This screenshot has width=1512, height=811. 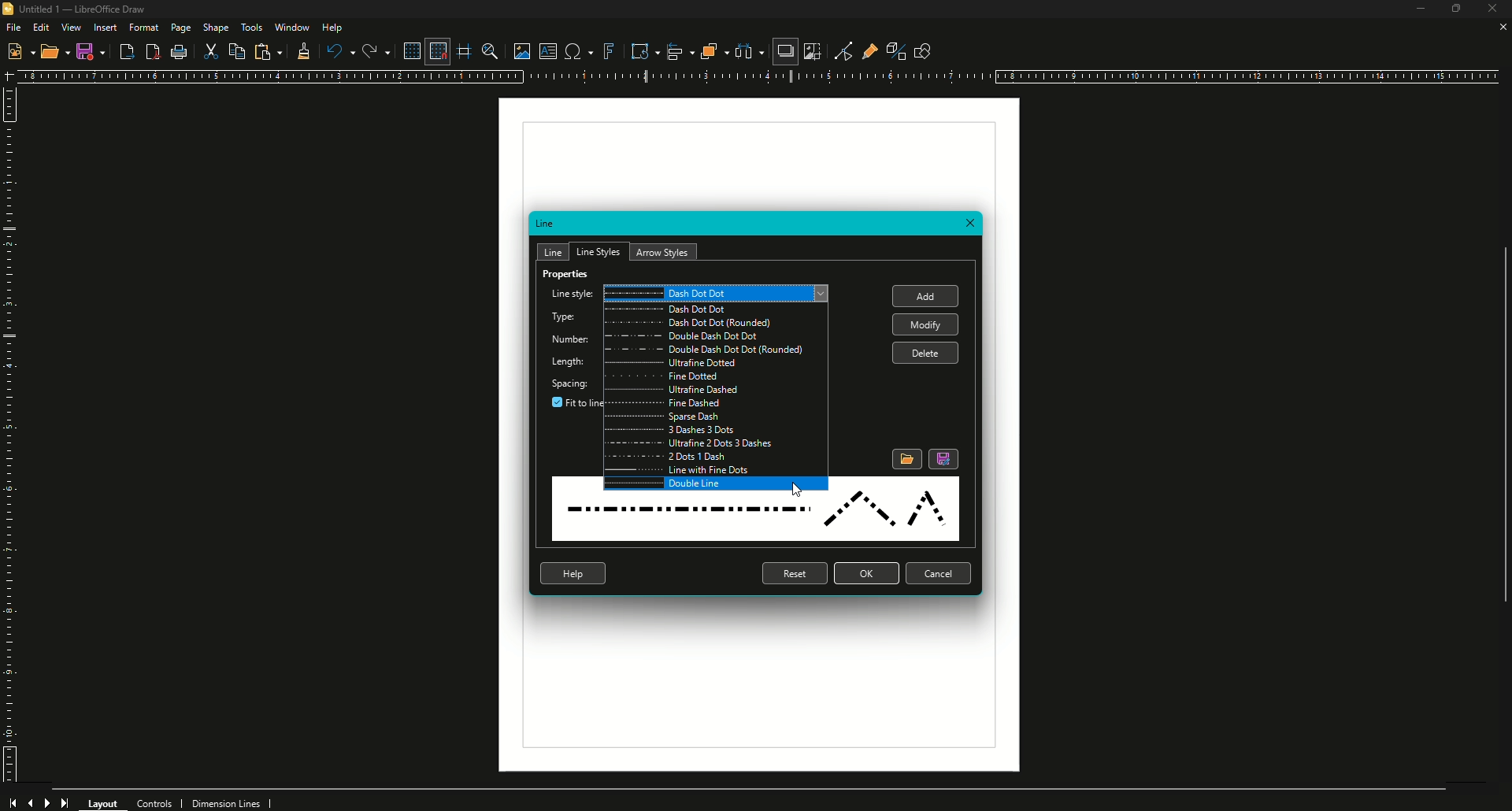 What do you see at coordinates (291, 27) in the screenshot?
I see `Window` at bounding box center [291, 27].